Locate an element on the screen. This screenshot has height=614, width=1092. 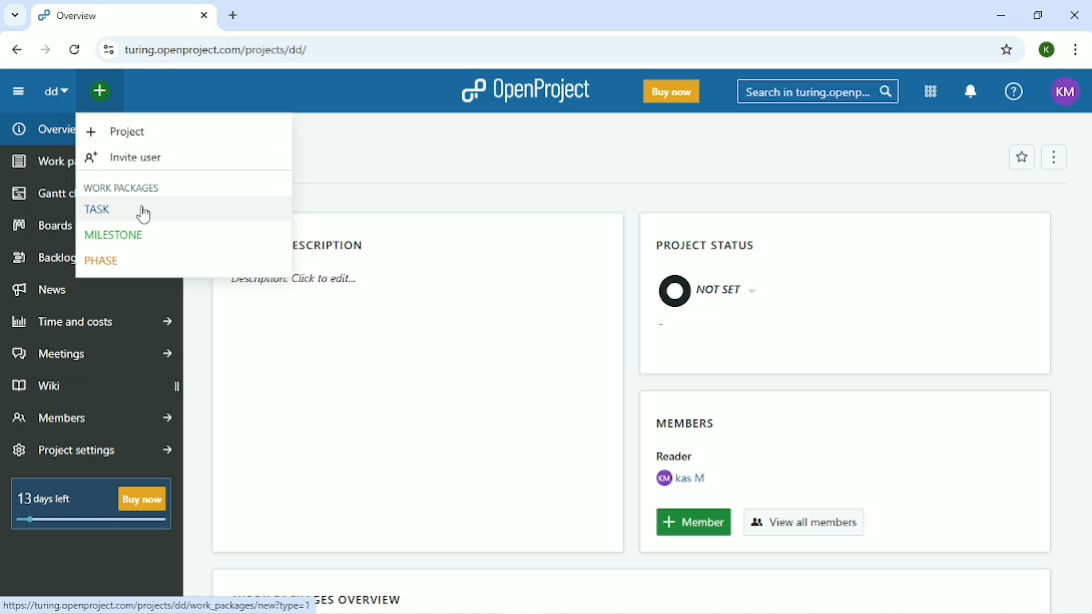
New tab is located at coordinates (234, 15).